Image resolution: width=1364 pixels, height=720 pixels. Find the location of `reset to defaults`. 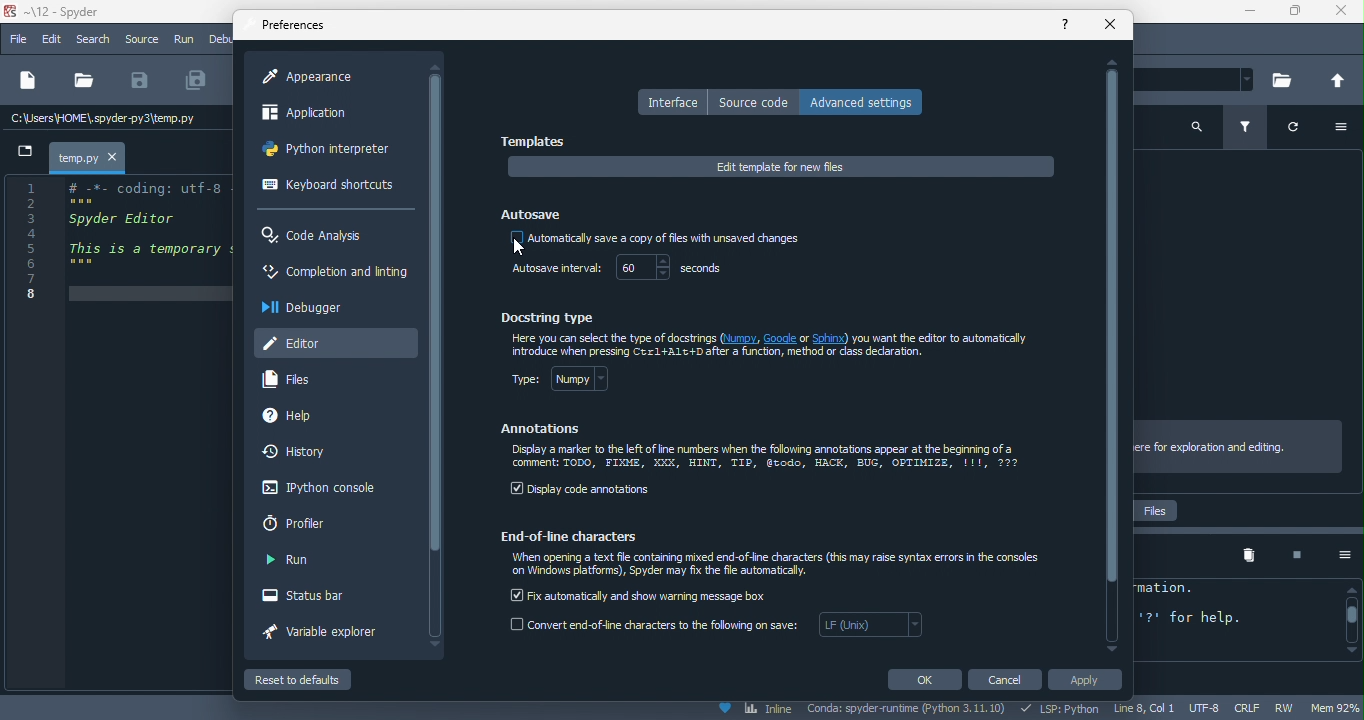

reset to defaults is located at coordinates (318, 679).